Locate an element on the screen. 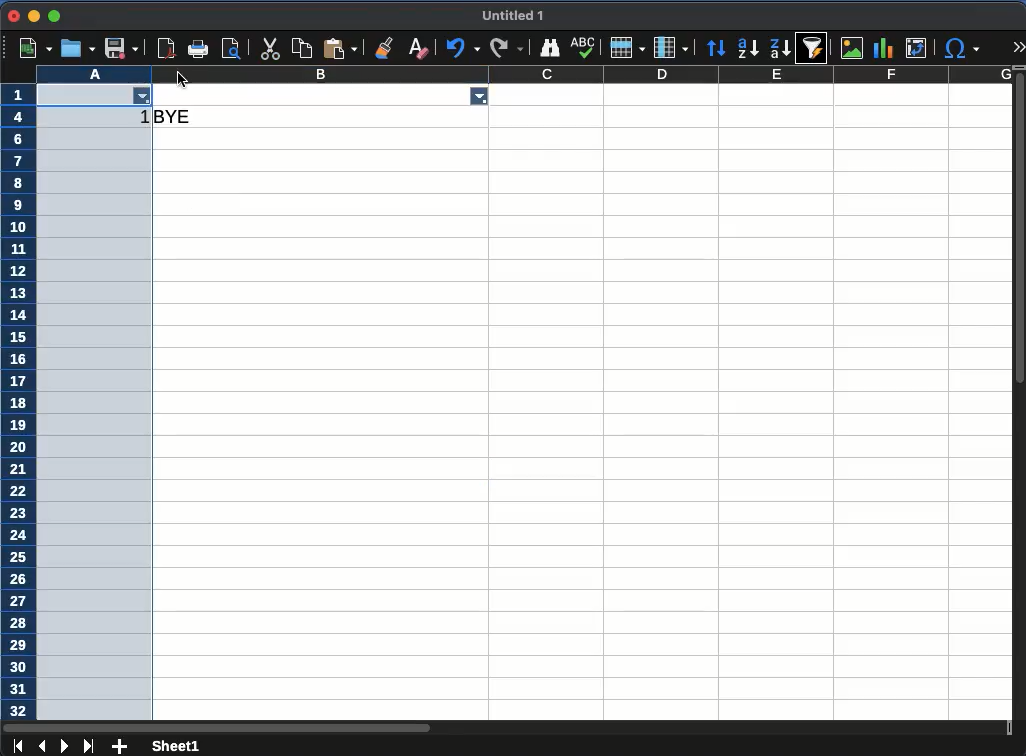  row is located at coordinates (18, 402).